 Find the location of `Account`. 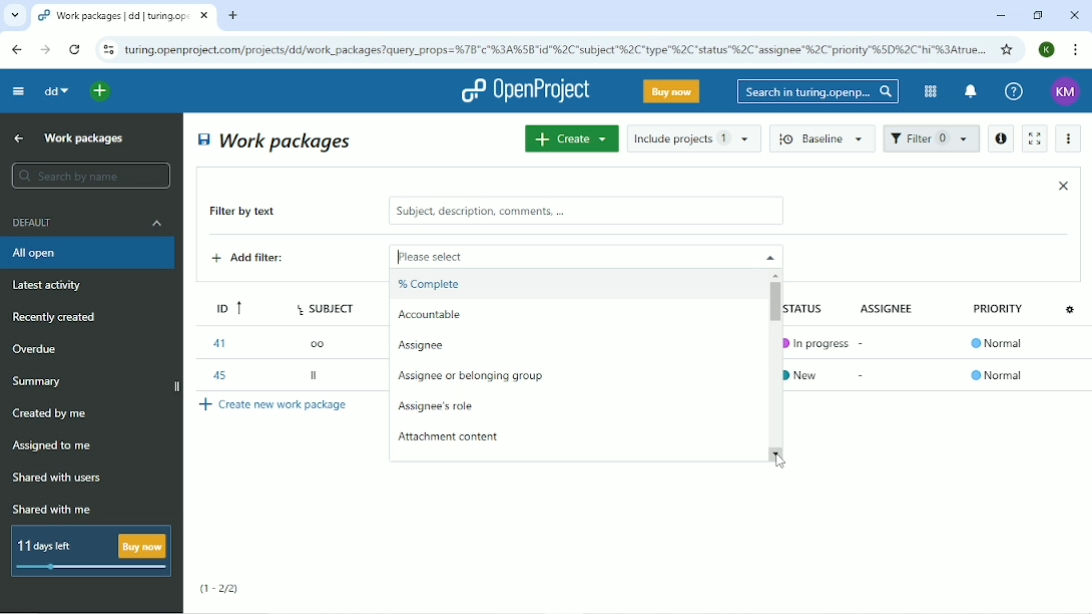

Account is located at coordinates (1048, 49).